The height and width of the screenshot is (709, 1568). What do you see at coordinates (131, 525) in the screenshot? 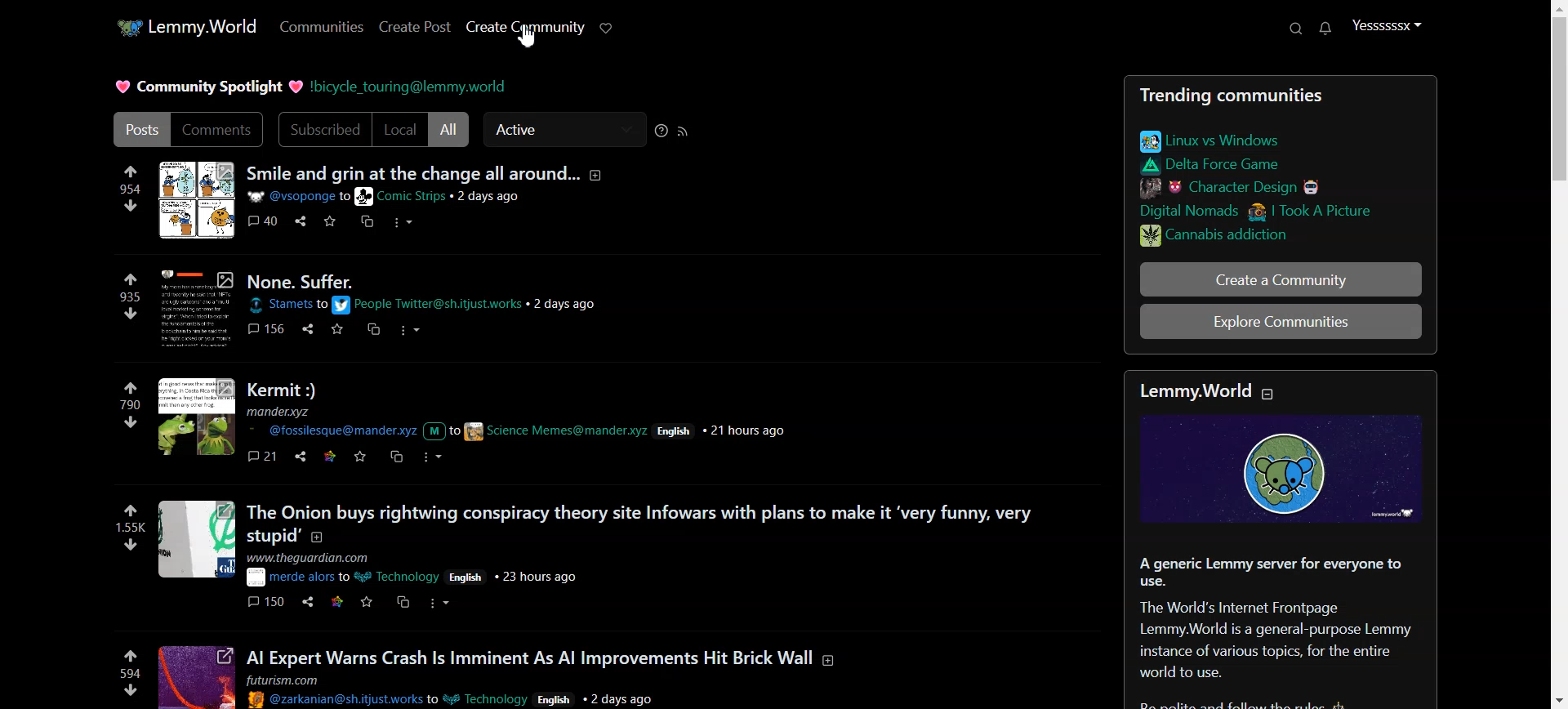
I see `numbers` at bounding box center [131, 525].